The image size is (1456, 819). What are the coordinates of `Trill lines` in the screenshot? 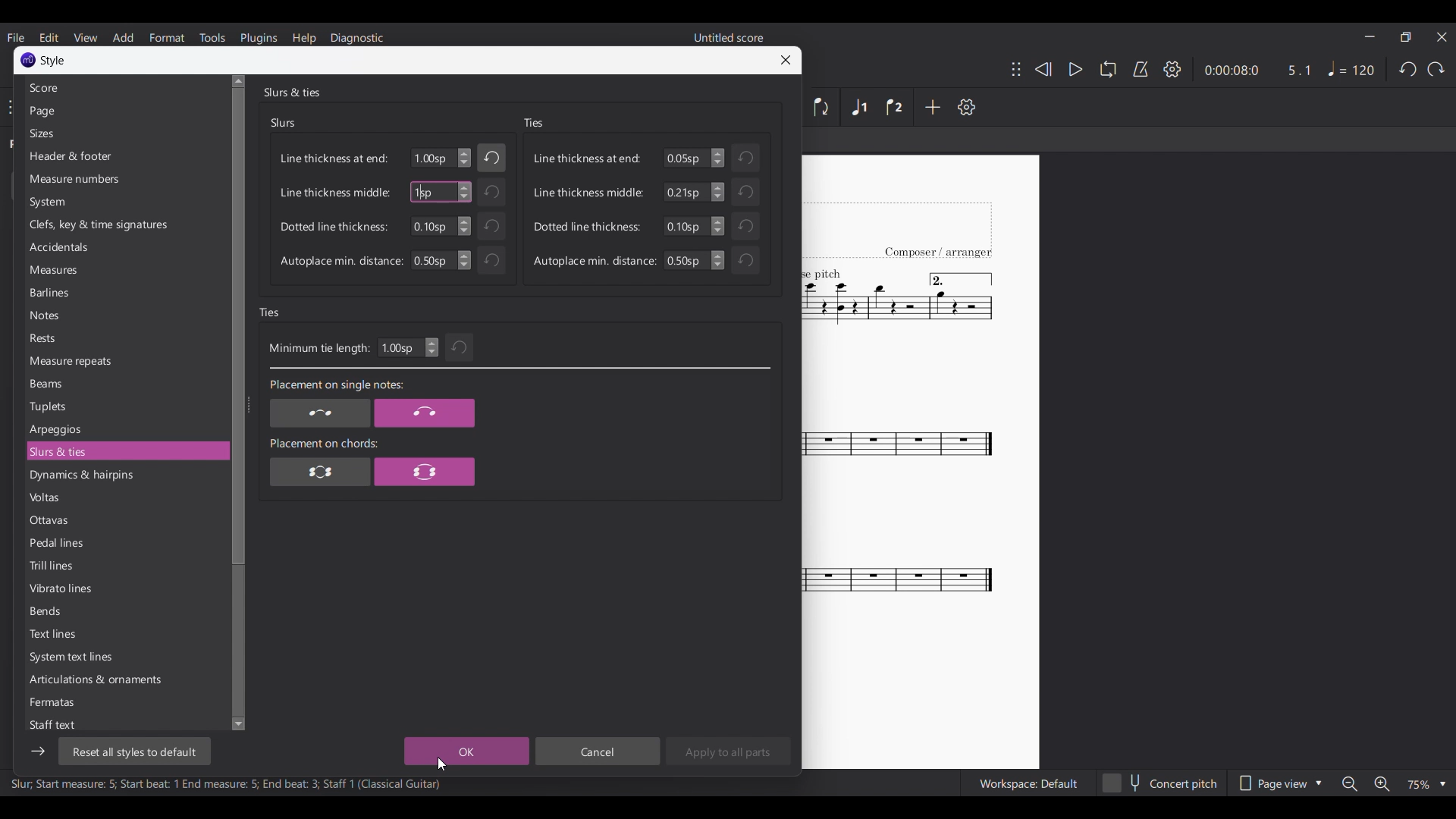 It's located at (125, 565).